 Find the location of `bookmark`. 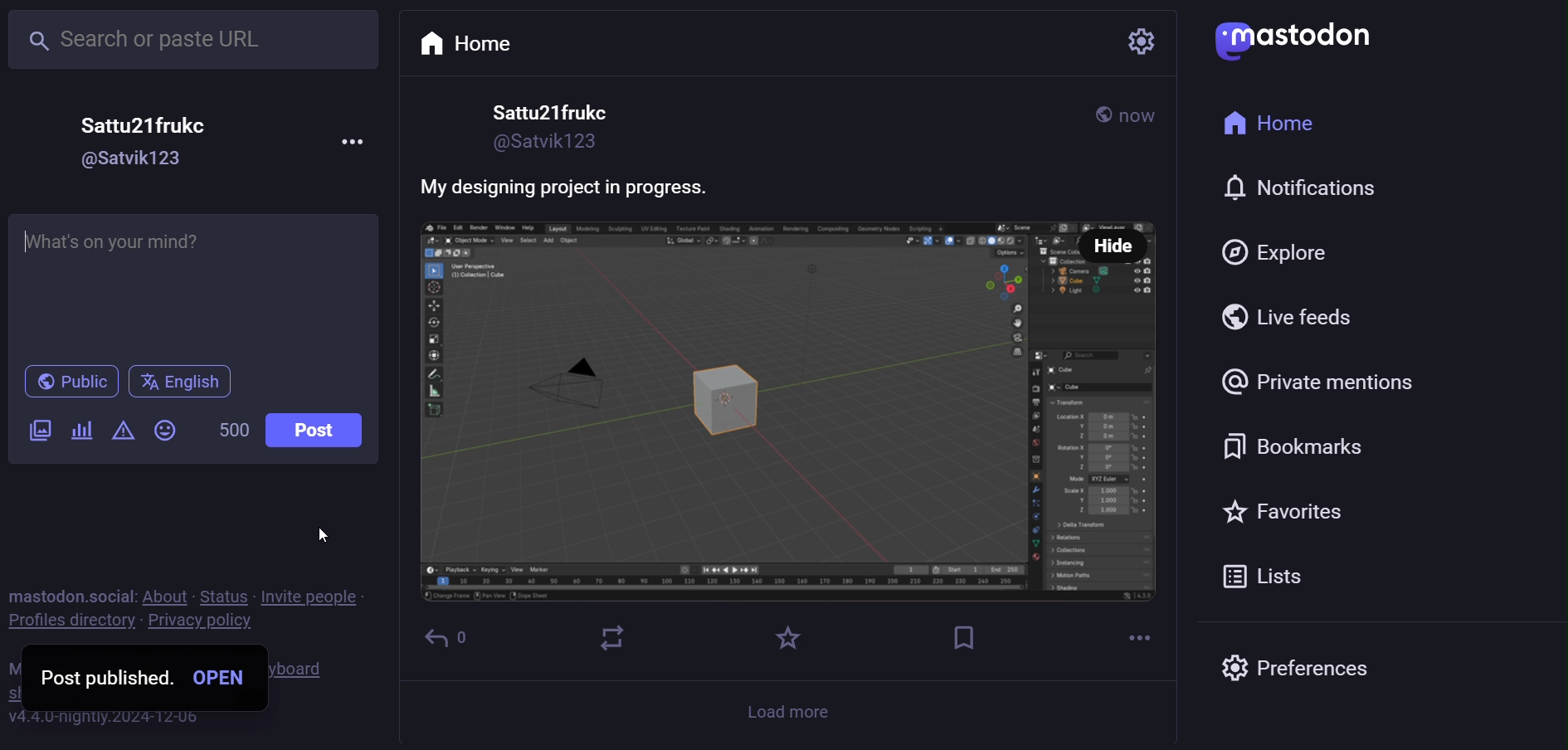

bookmark is located at coordinates (969, 639).